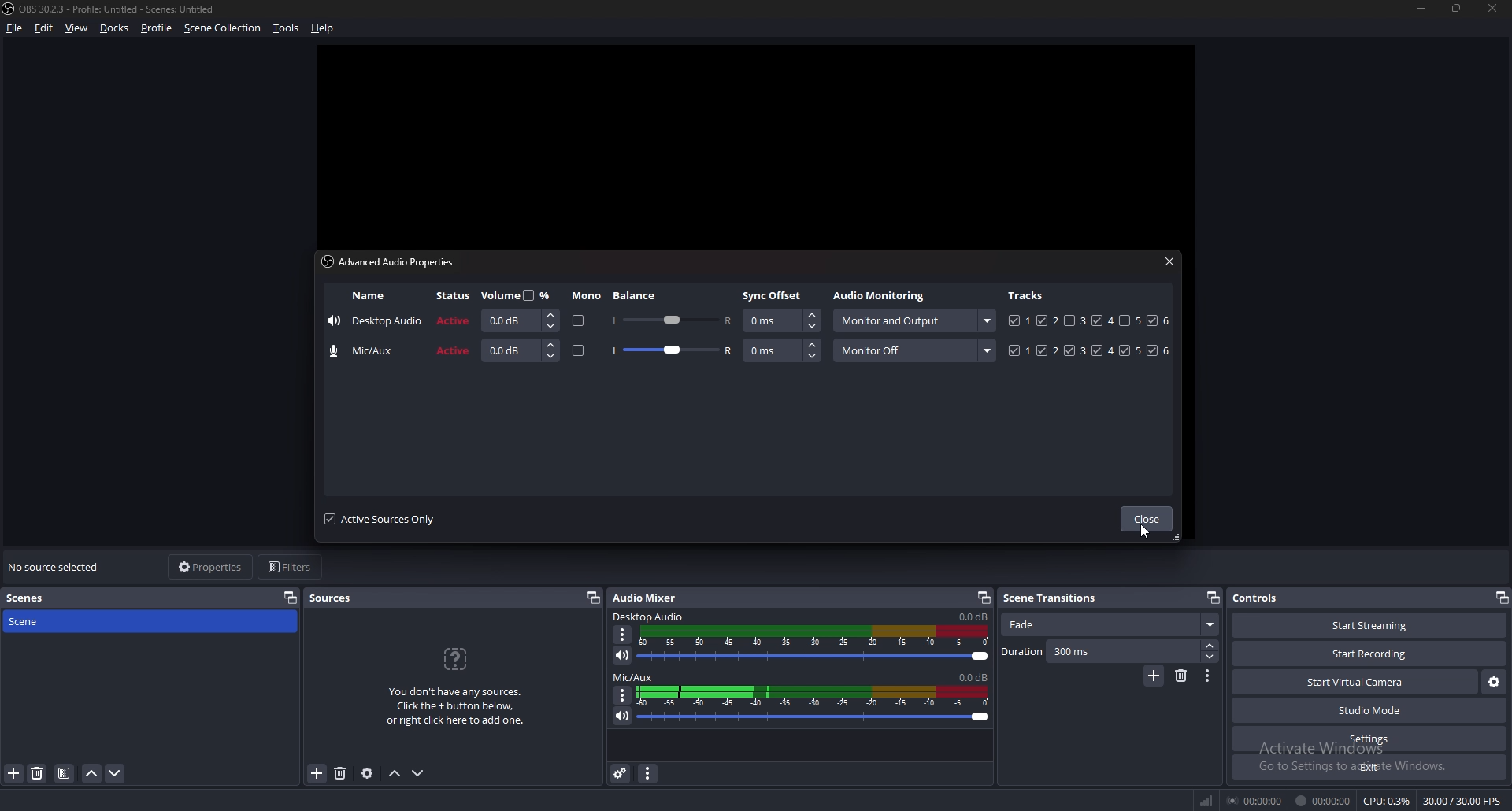  Describe the element at coordinates (224, 28) in the screenshot. I see `scene collection` at that location.